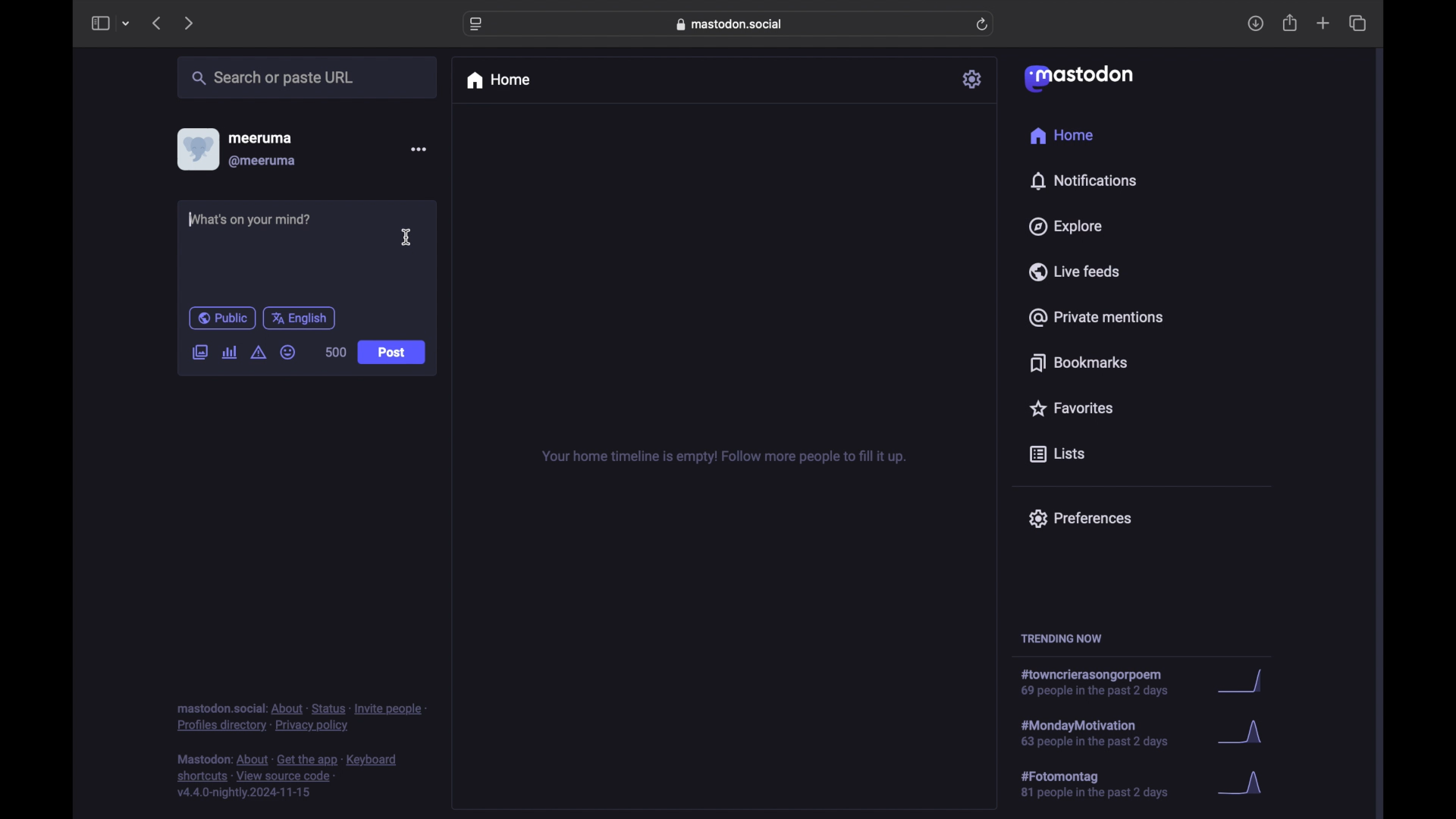 The image size is (1456, 819). What do you see at coordinates (221, 318) in the screenshot?
I see `public` at bounding box center [221, 318].